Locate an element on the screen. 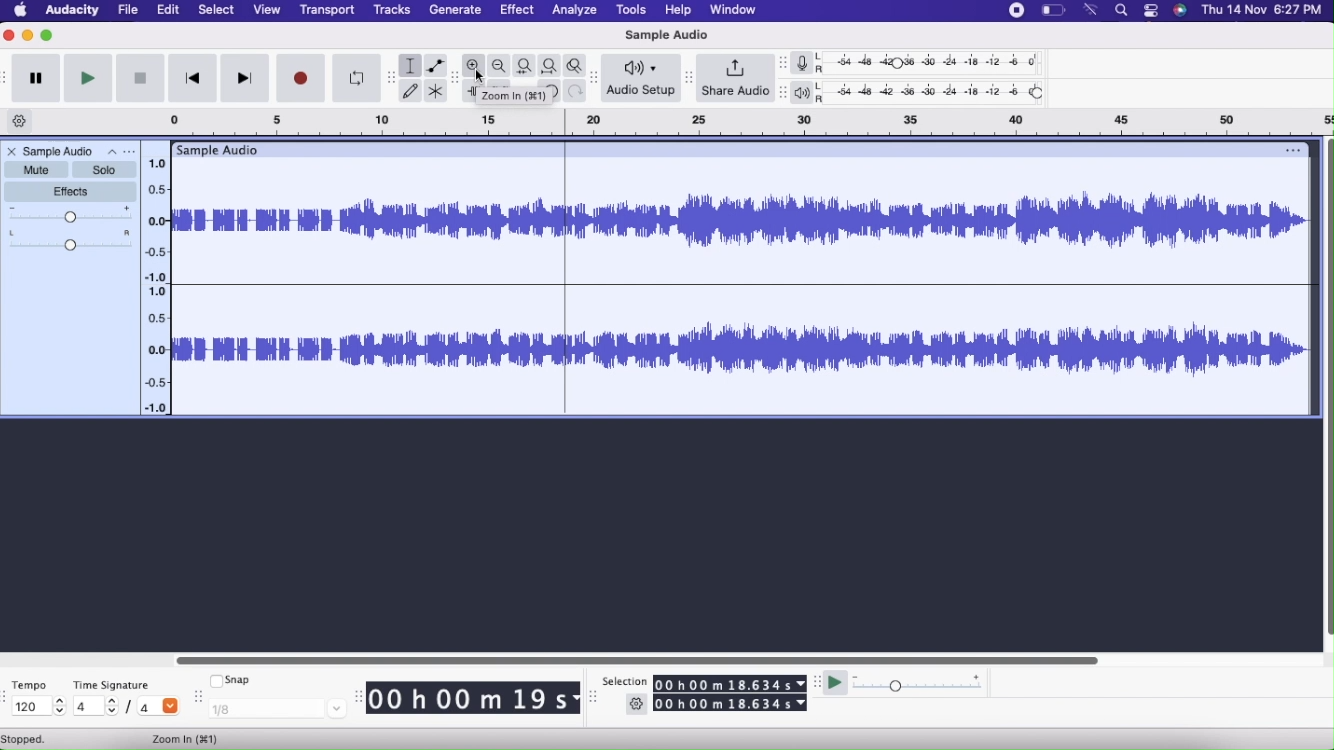  wifi is located at coordinates (1092, 11).